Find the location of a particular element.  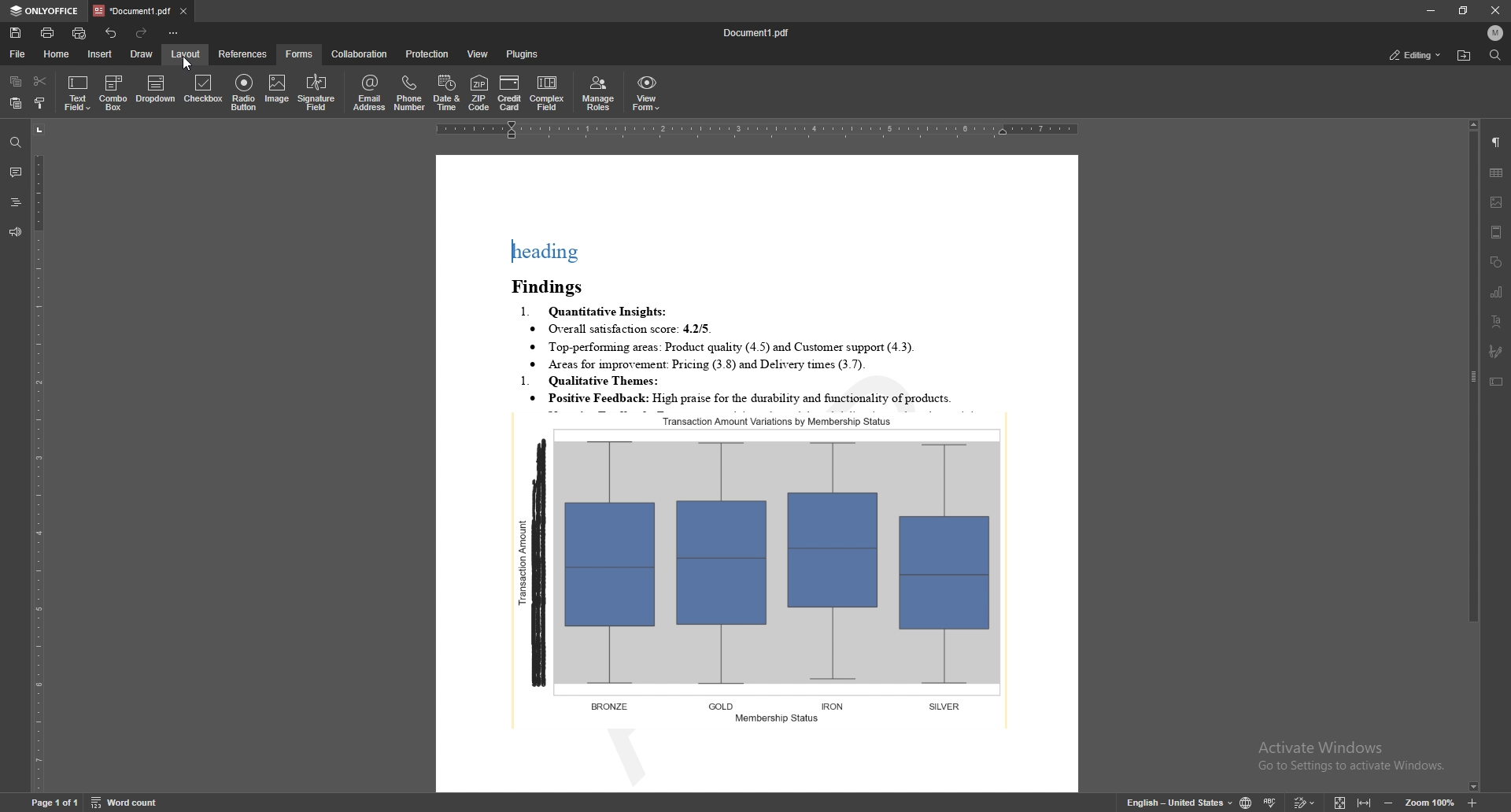

feedback is located at coordinates (16, 232).